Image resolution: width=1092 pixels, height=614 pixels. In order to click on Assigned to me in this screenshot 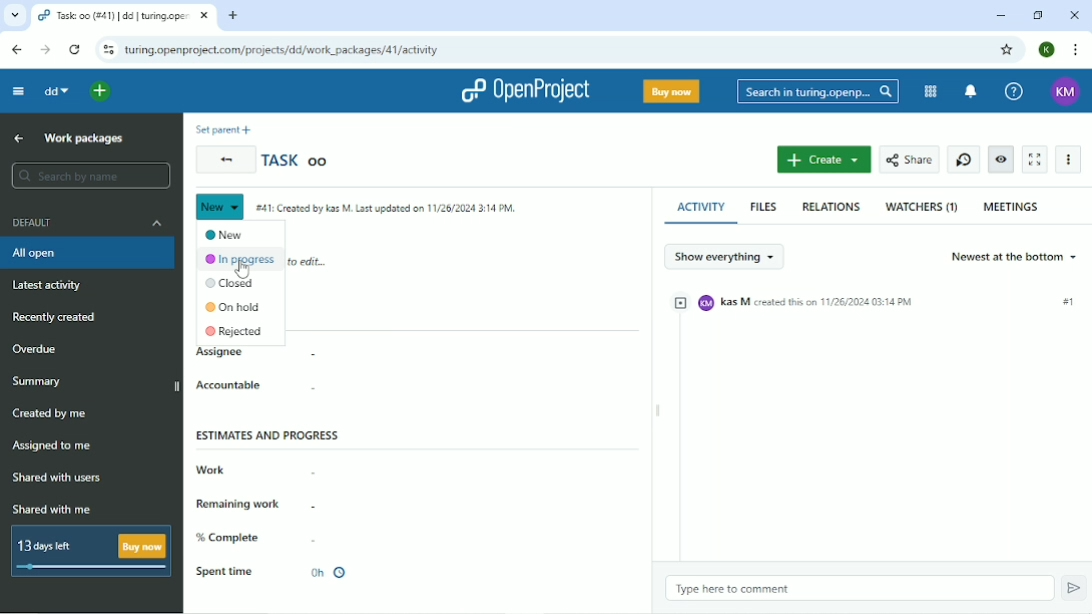, I will do `click(55, 445)`.